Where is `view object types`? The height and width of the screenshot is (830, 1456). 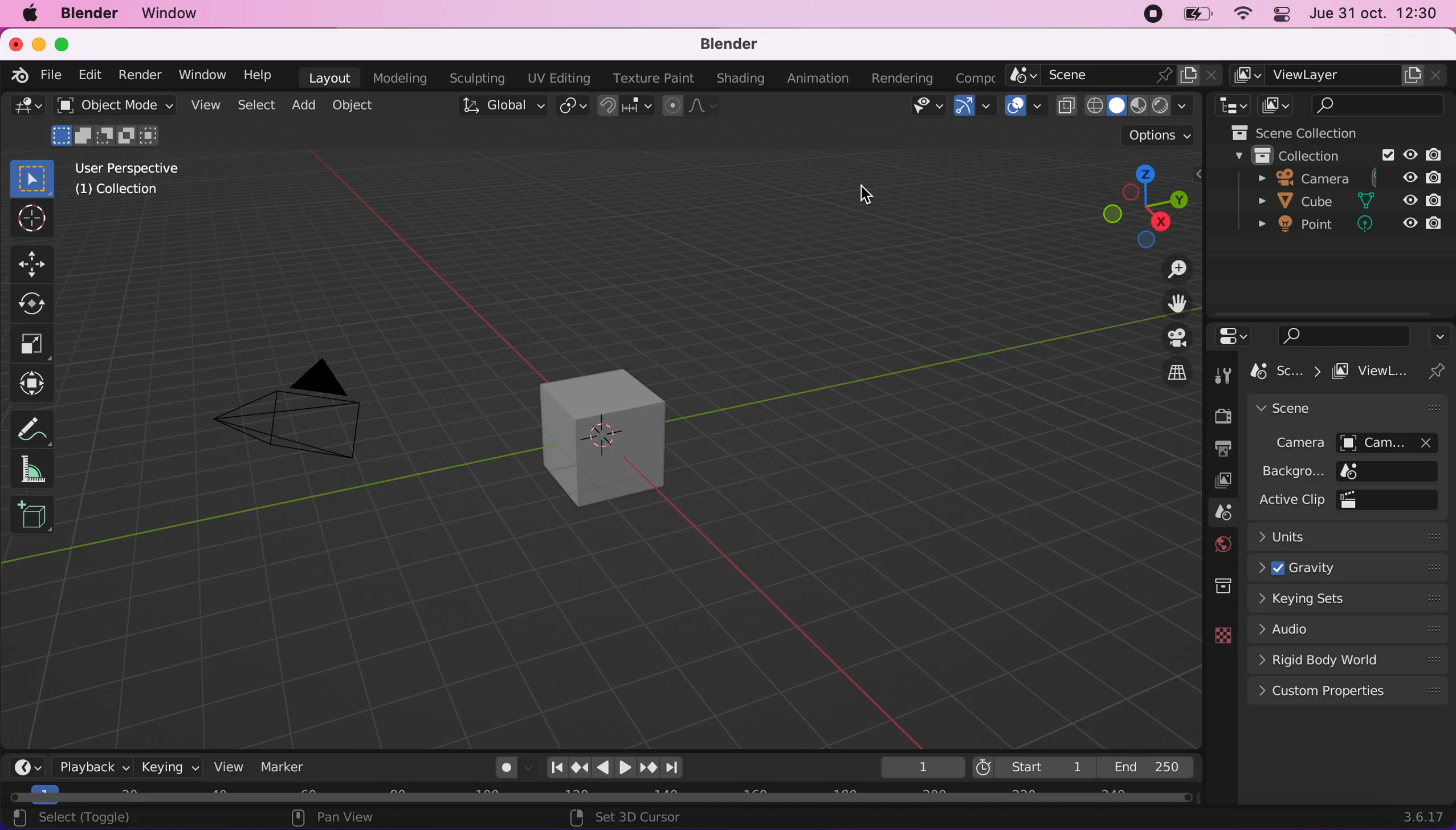 view object types is located at coordinates (927, 109).